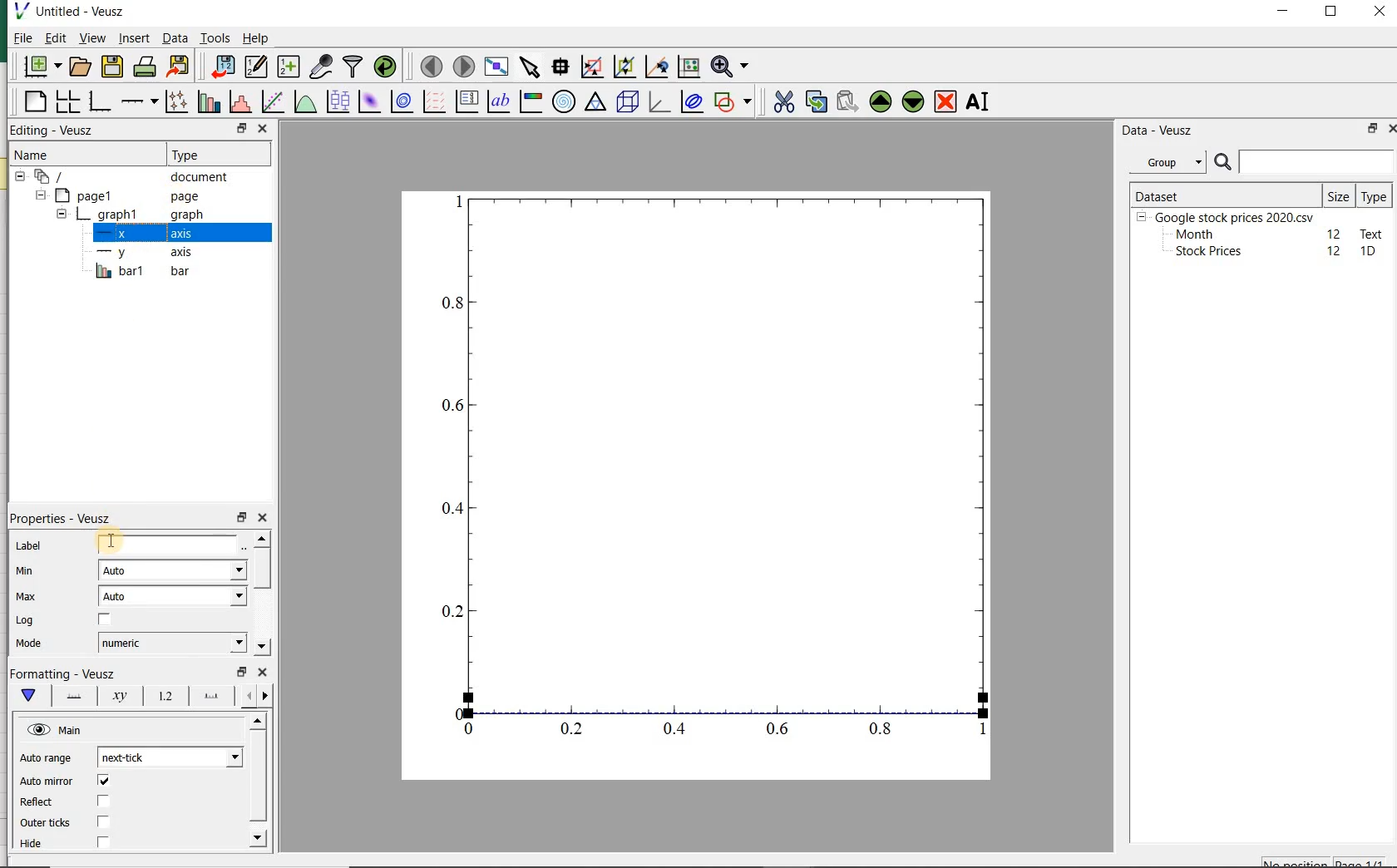 Image resolution: width=1397 pixels, height=868 pixels. What do you see at coordinates (39, 802) in the screenshot?
I see `Reflect` at bounding box center [39, 802].